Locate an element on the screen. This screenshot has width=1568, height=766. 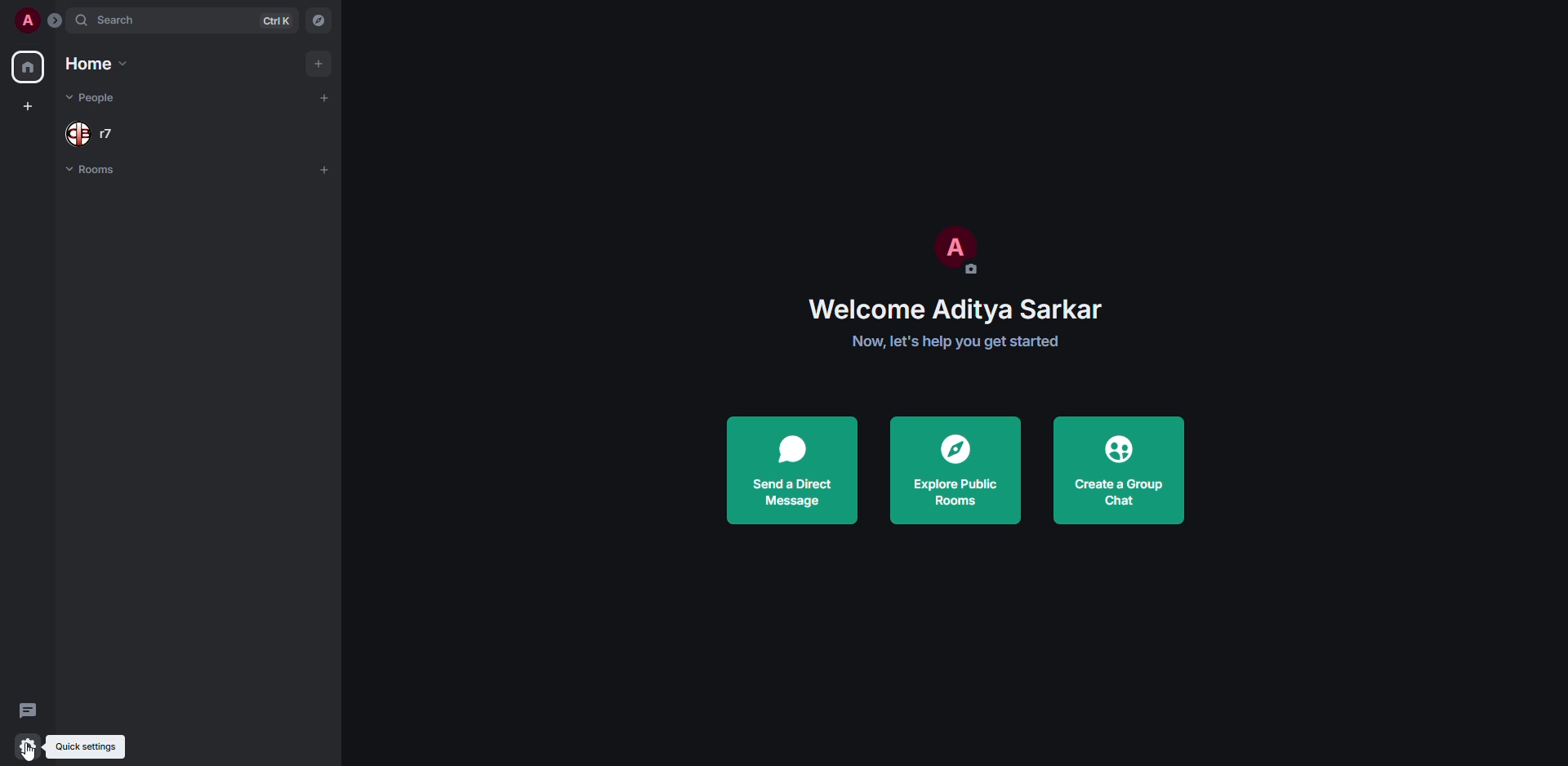
create a group chat is located at coordinates (1118, 470).